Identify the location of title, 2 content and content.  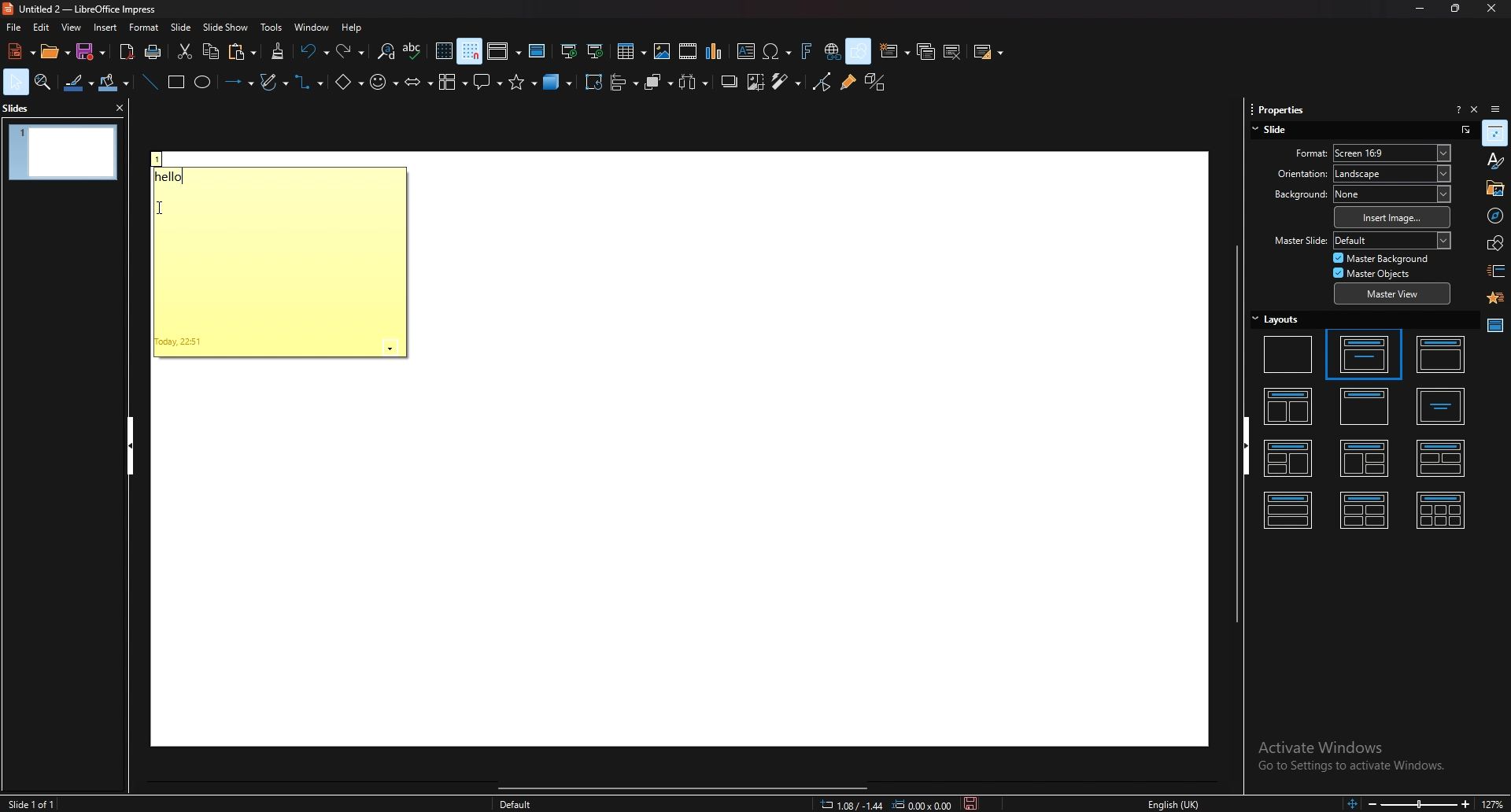
(1290, 460).